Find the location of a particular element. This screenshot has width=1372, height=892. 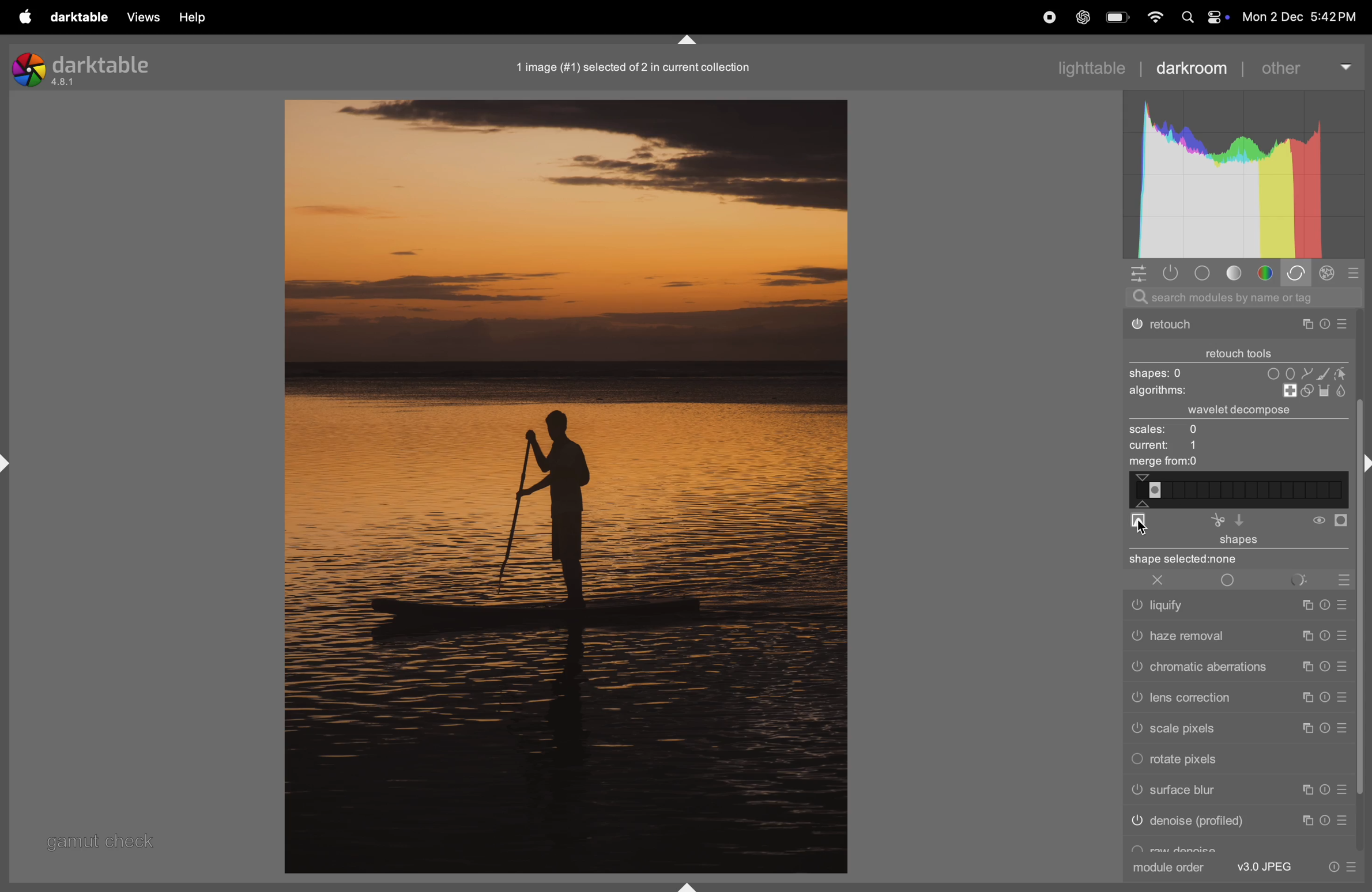

display masks is located at coordinates (1314, 579).